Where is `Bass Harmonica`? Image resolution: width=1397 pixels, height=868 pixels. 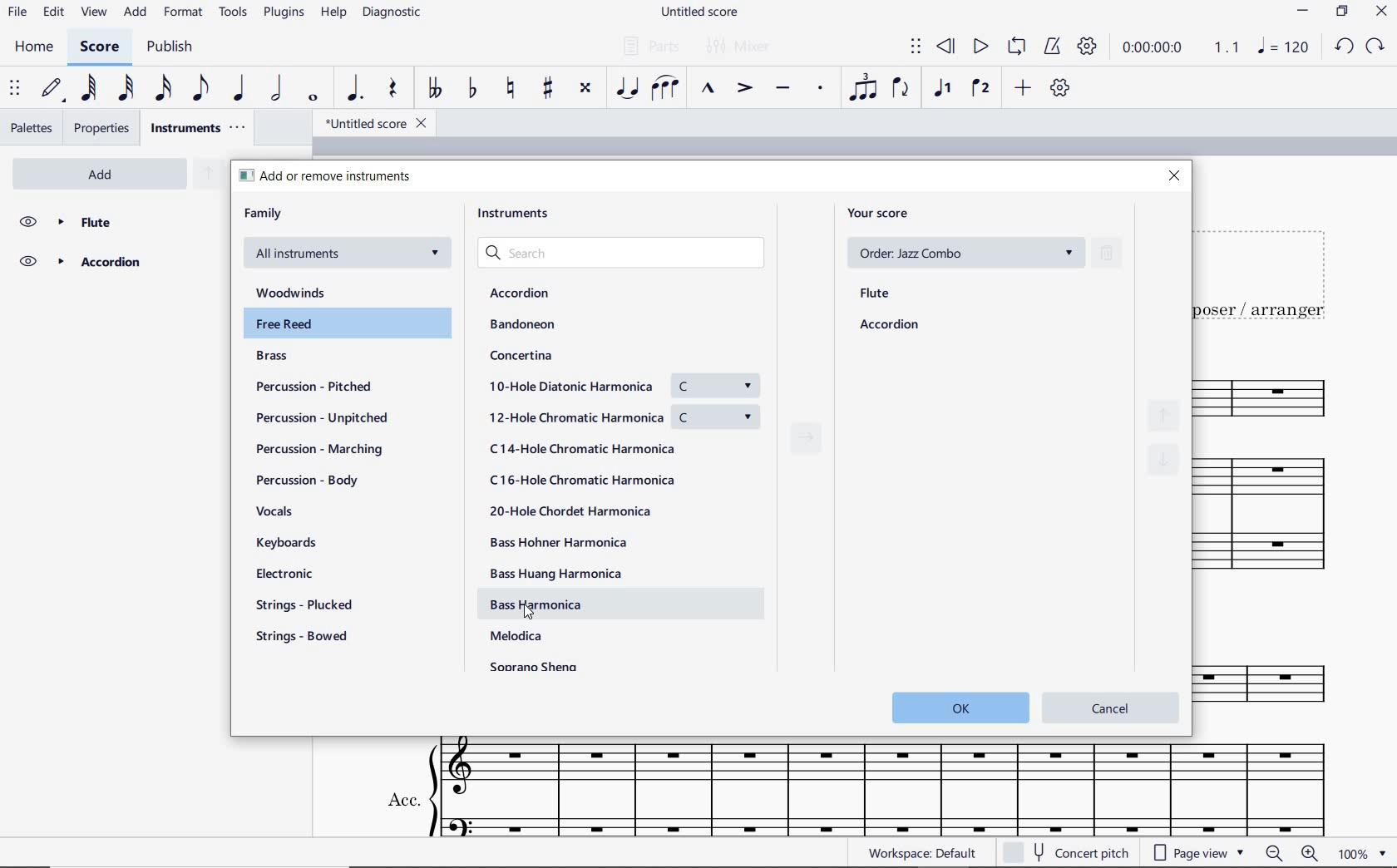
Bass Harmonica is located at coordinates (540, 601).